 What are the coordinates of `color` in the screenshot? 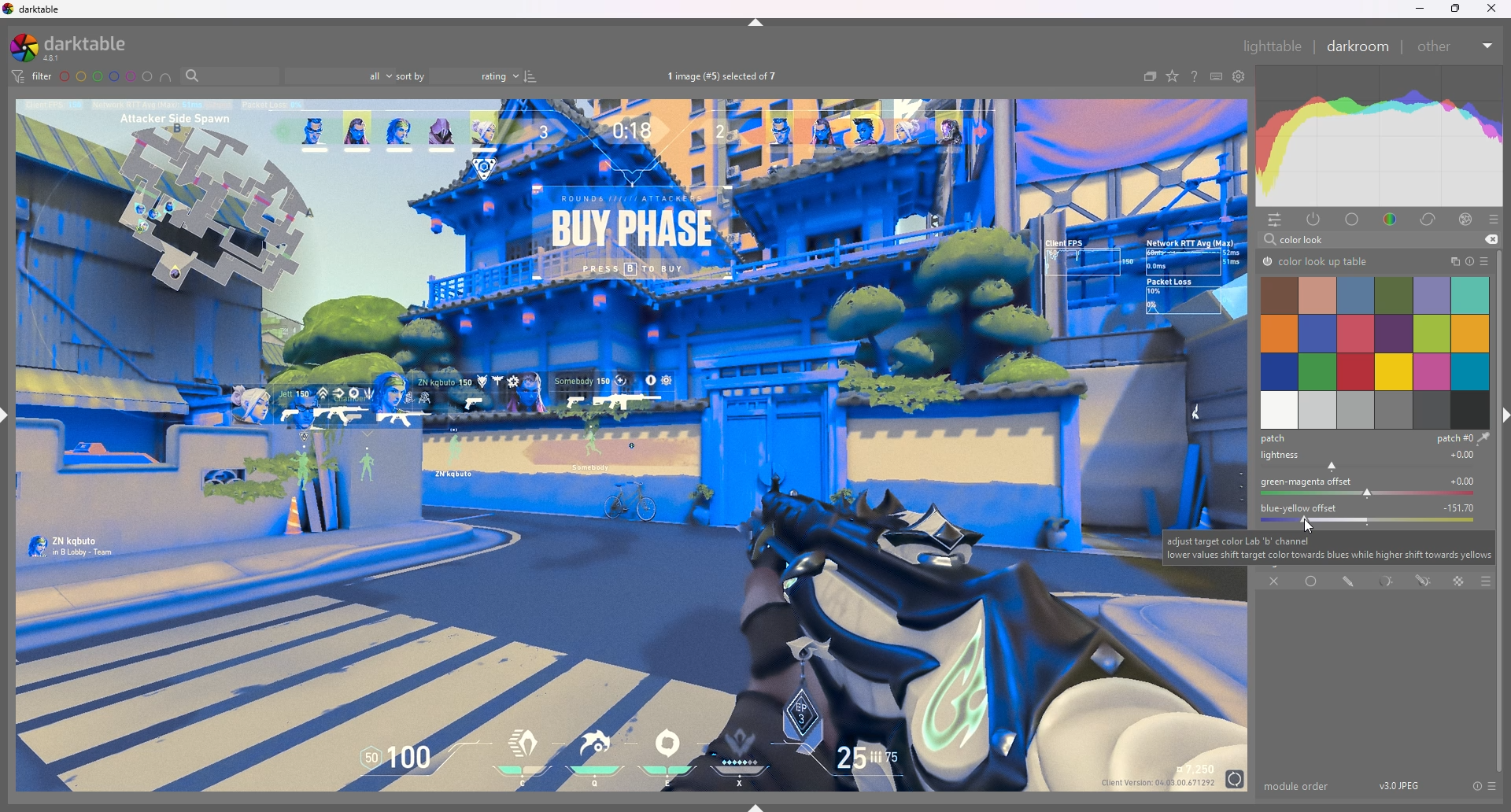 It's located at (1392, 220).